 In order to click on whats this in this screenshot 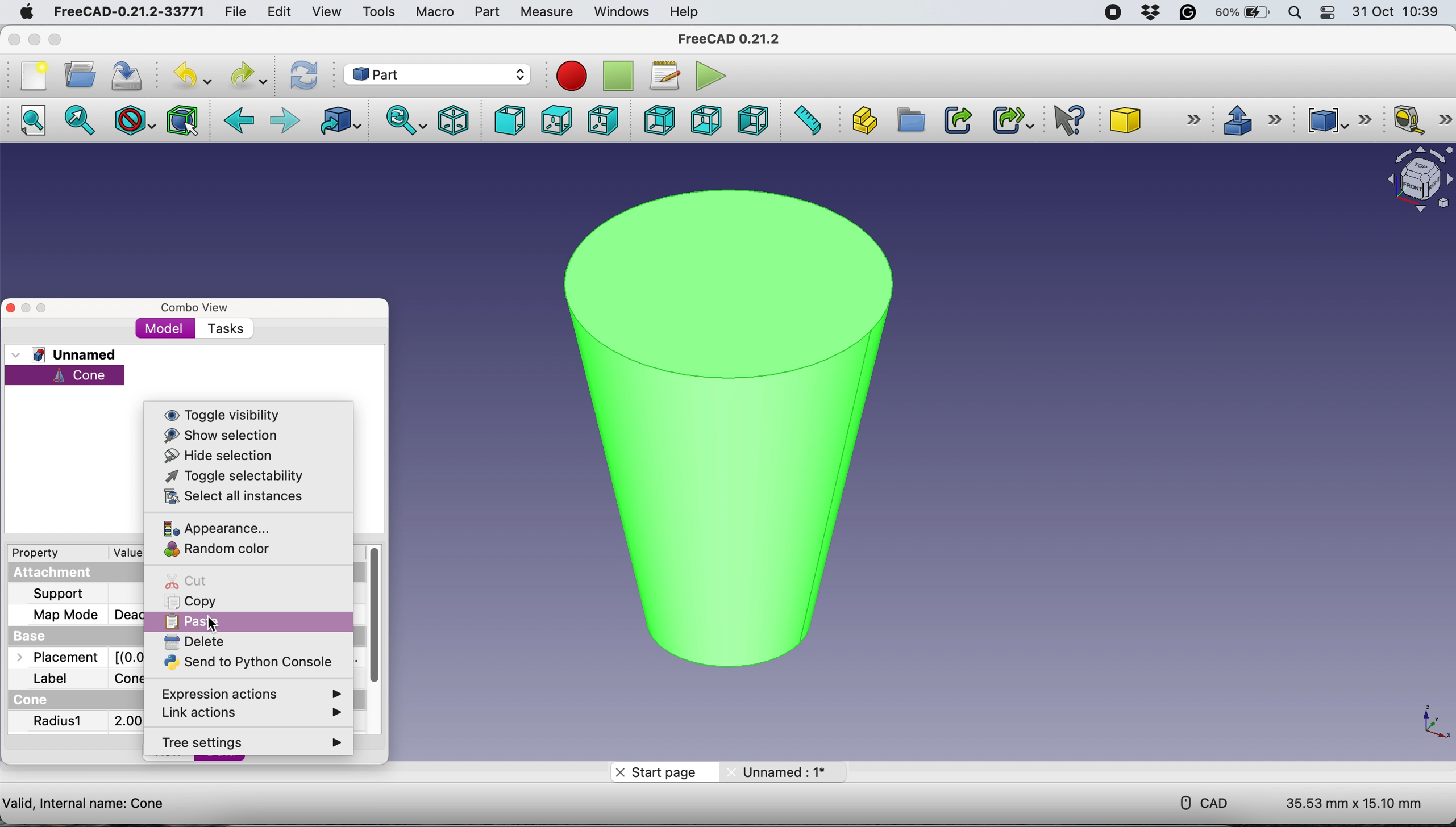, I will do `click(1063, 121)`.